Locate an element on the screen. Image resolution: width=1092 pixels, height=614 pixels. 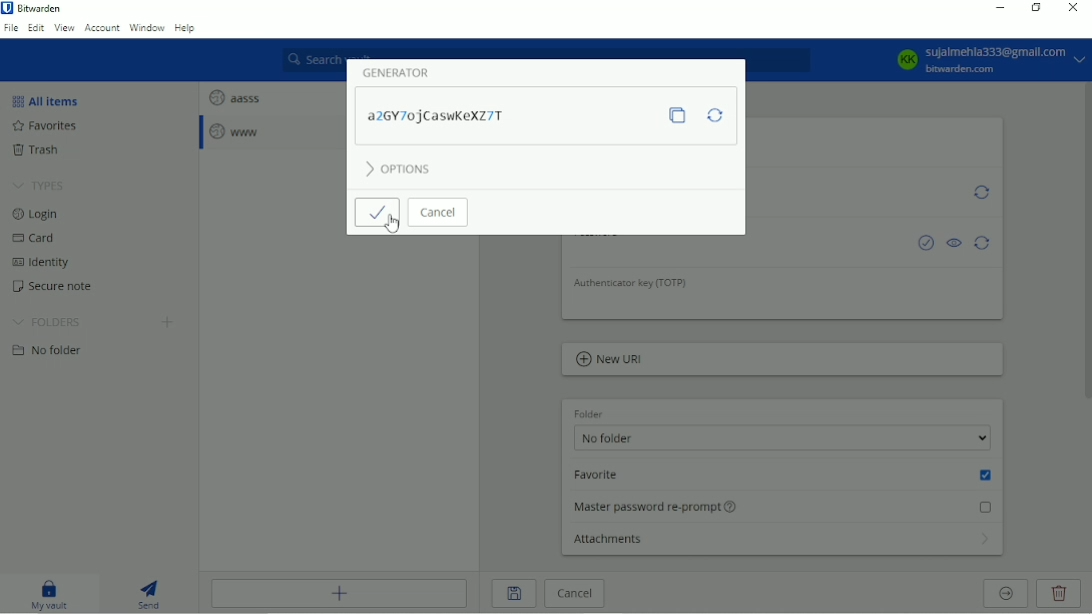
Create folder is located at coordinates (170, 322).